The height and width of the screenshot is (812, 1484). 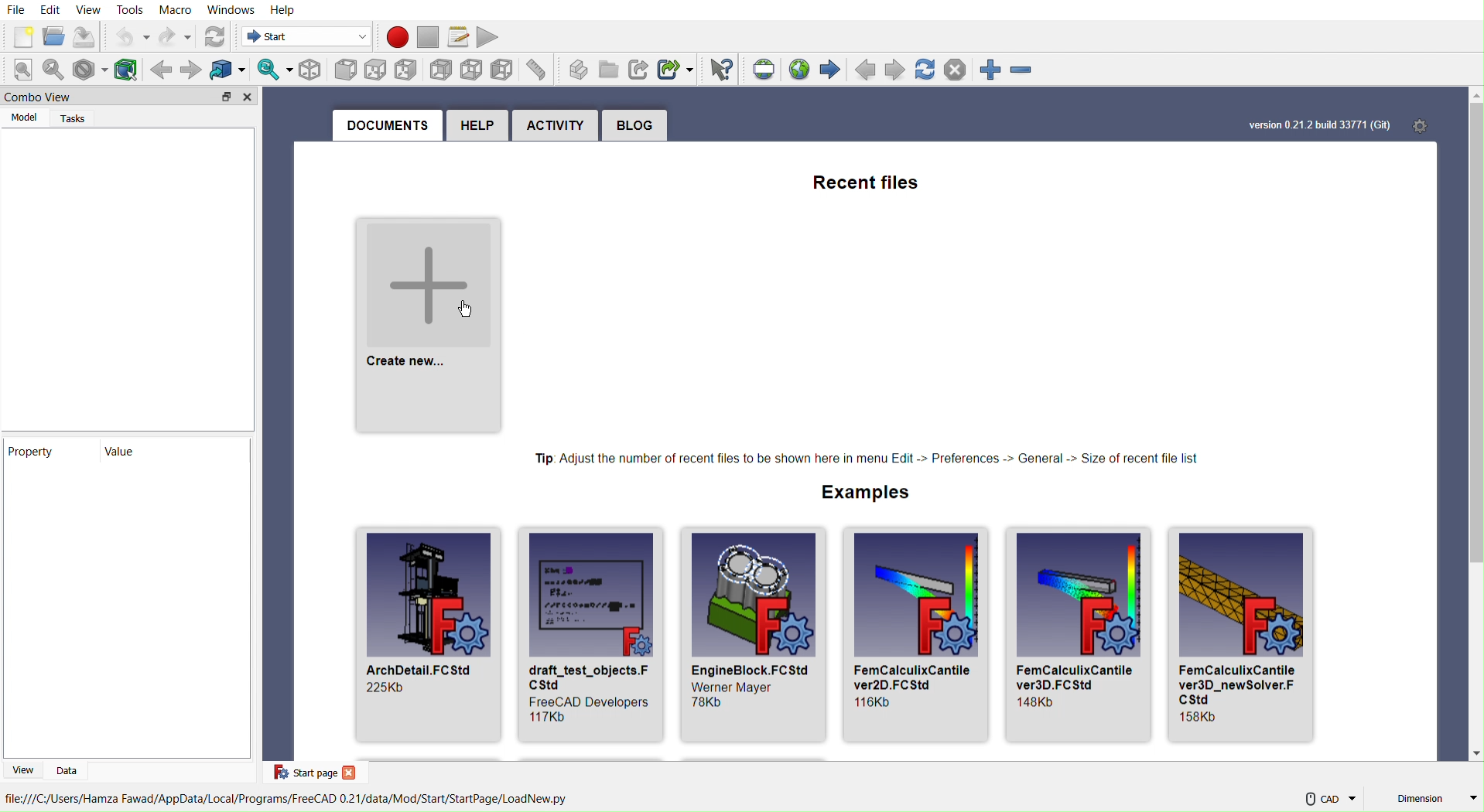 I want to click on Stop Macro recording session, so click(x=427, y=36).